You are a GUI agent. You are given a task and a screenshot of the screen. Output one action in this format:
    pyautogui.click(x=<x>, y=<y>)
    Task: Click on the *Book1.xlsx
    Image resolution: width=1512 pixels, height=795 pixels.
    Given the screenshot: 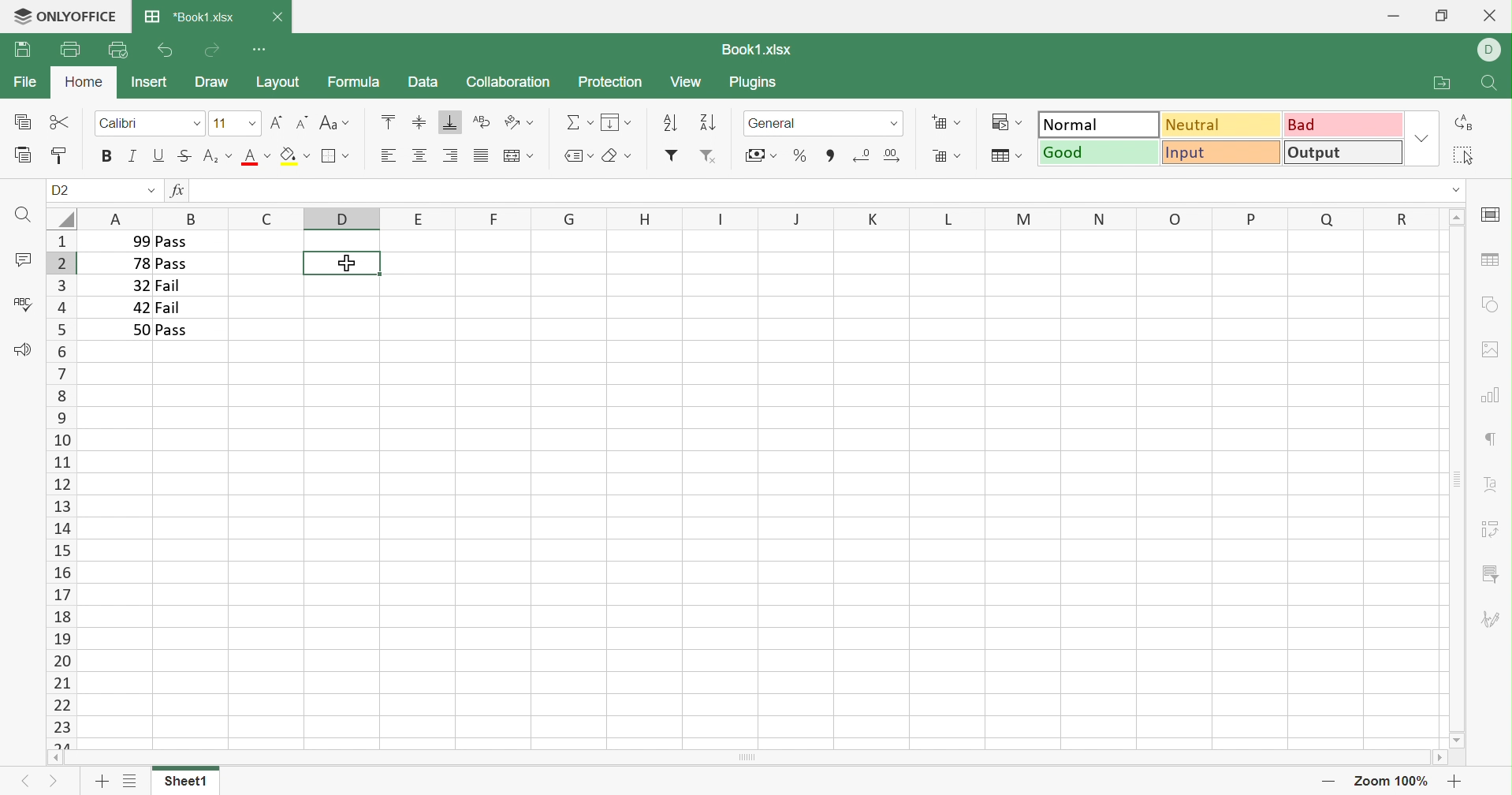 What is the action you would take?
    pyautogui.click(x=189, y=16)
    